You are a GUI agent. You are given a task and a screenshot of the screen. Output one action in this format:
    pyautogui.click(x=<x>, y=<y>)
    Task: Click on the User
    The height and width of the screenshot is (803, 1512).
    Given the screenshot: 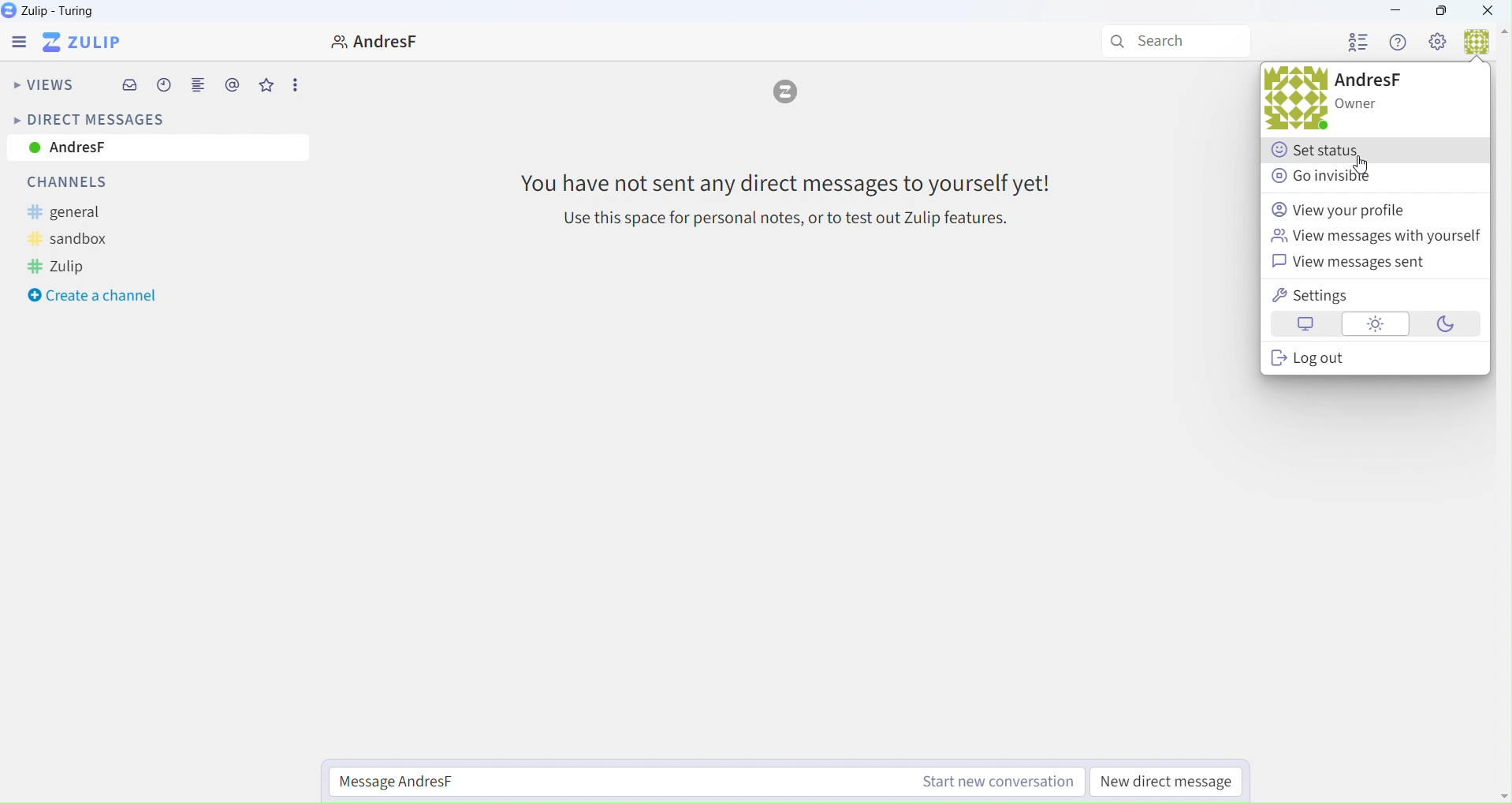 What is the action you would take?
    pyautogui.click(x=1279, y=100)
    